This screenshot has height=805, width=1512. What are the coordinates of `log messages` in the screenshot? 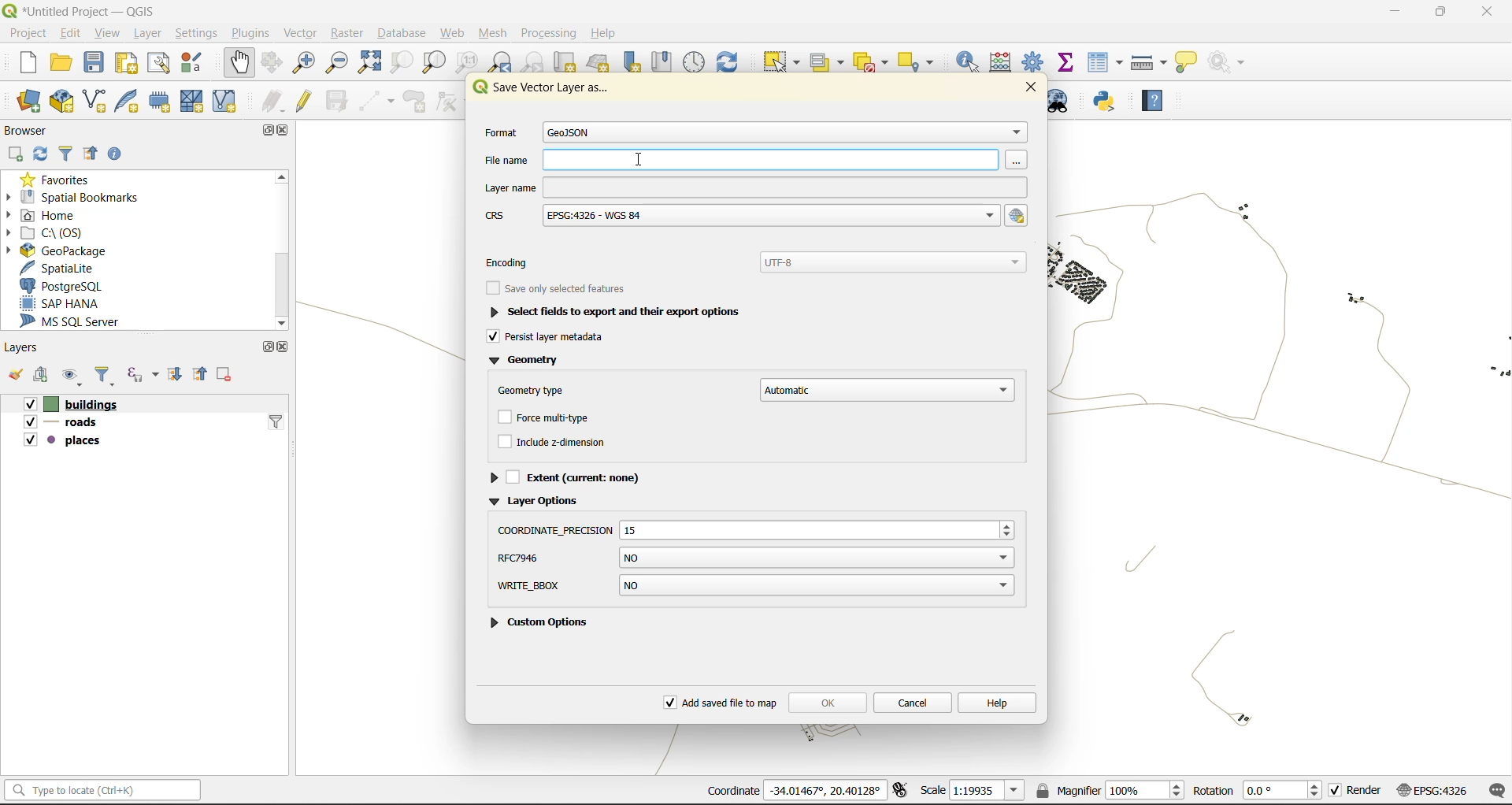 It's located at (1494, 789).